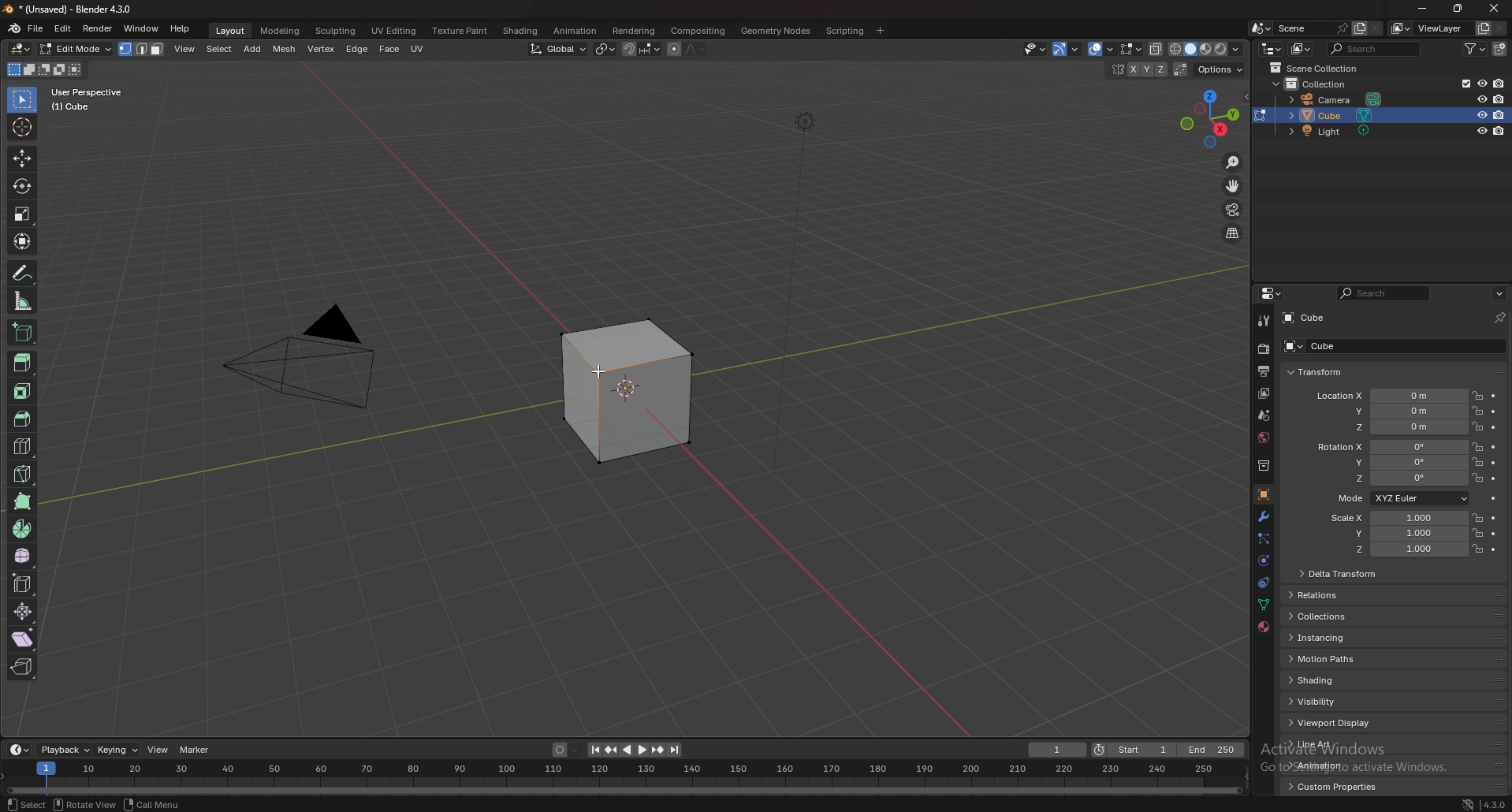 Image resolution: width=1512 pixels, height=812 pixels. I want to click on scale y, so click(1398, 535).